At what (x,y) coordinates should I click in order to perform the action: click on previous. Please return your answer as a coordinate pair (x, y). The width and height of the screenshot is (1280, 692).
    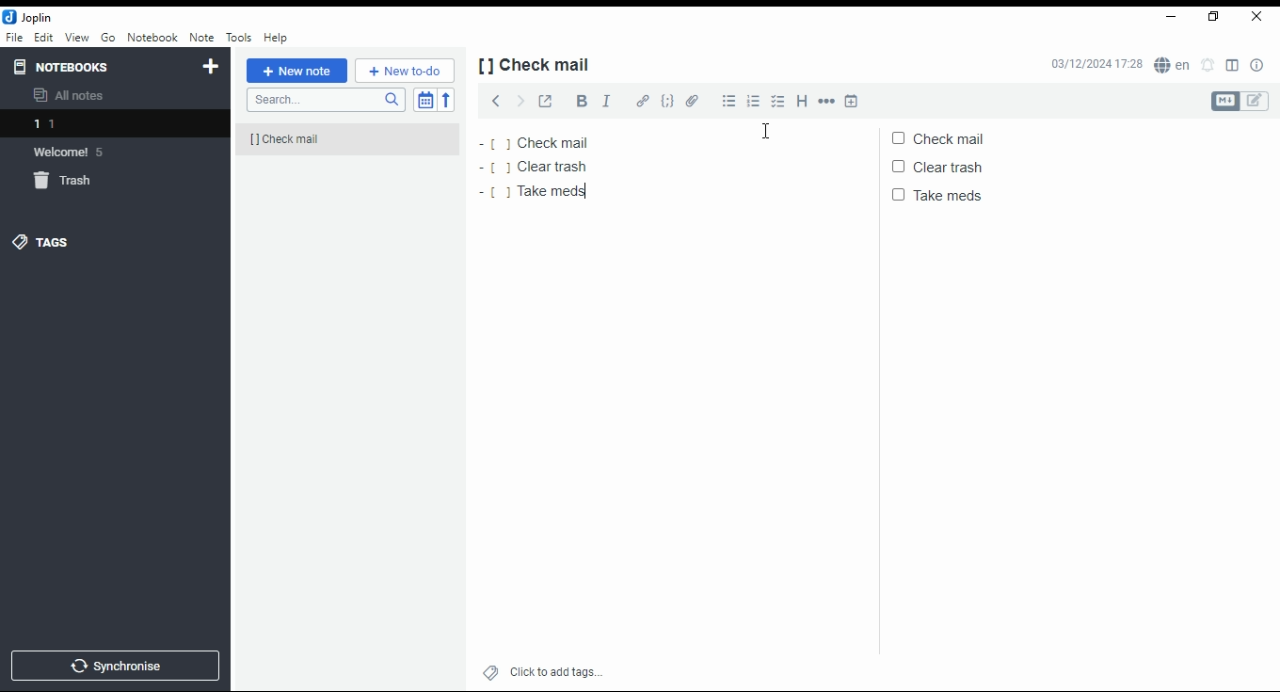
    Looking at the image, I should click on (494, 100).